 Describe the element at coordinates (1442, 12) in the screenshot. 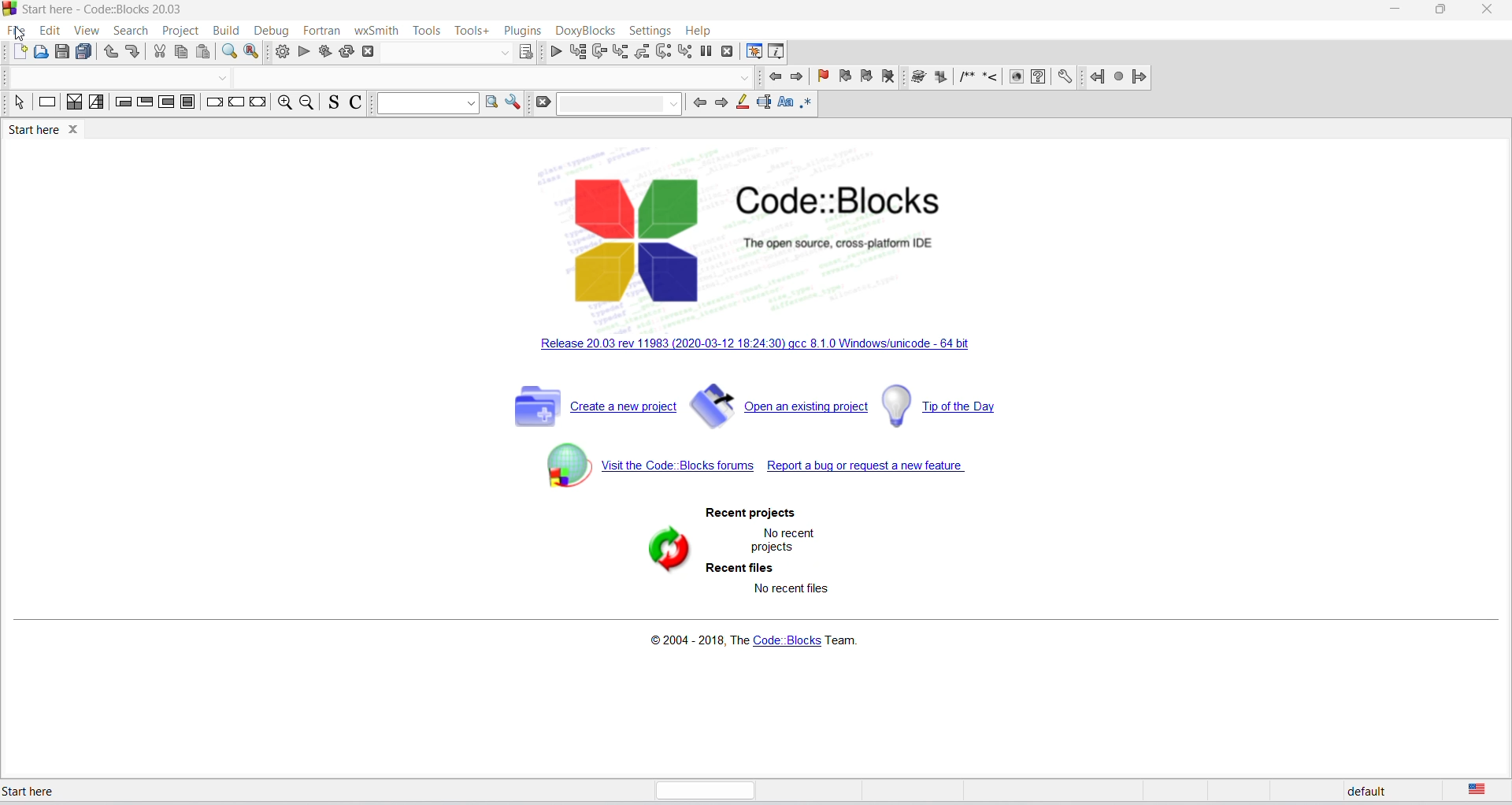

I see `maximize` at that location.